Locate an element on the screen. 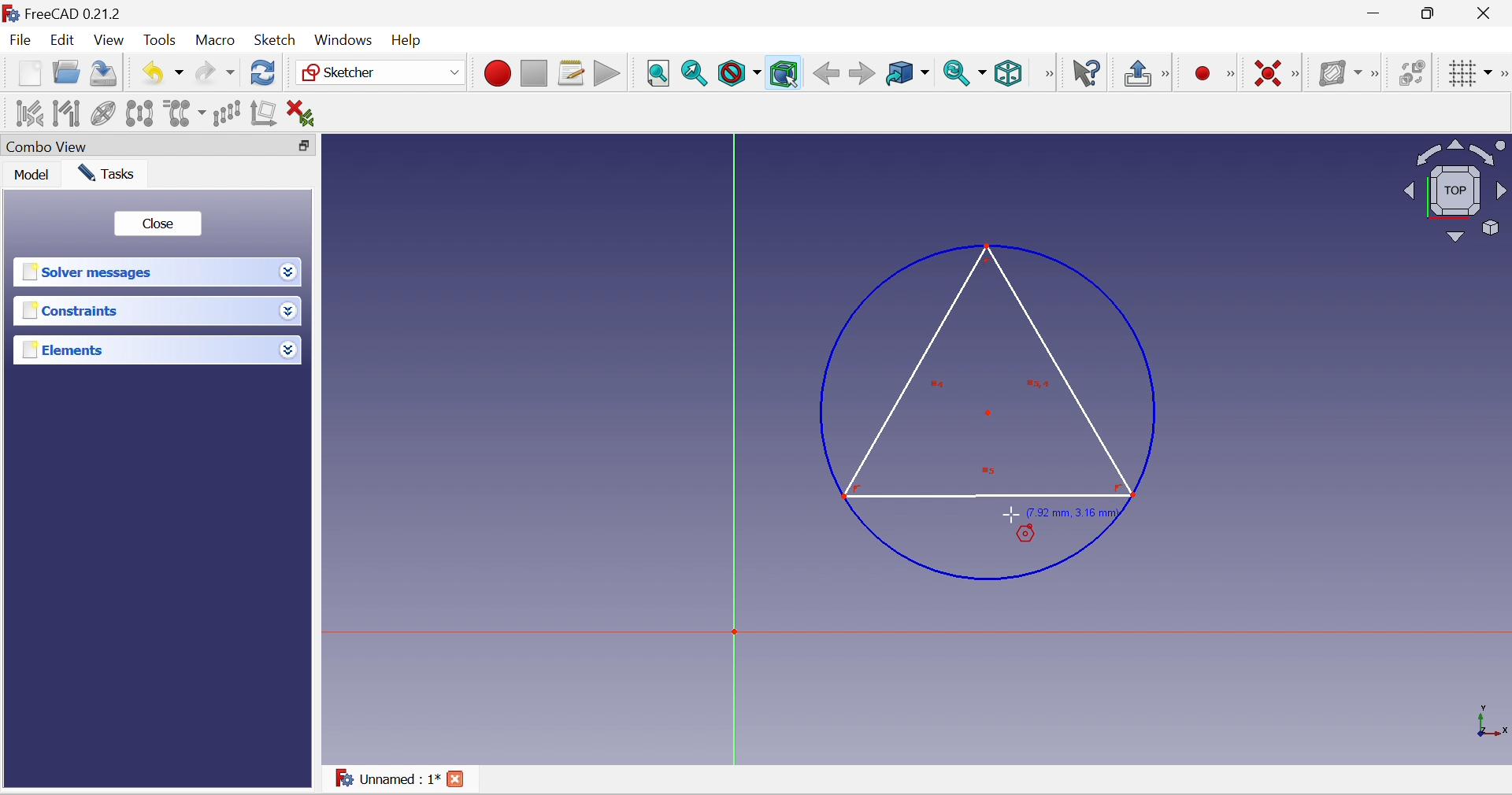 Image resolution: width=1512 pixels, height=795 pixels. FreeCAD 0.21.2 is located at coordinates (63, 13).